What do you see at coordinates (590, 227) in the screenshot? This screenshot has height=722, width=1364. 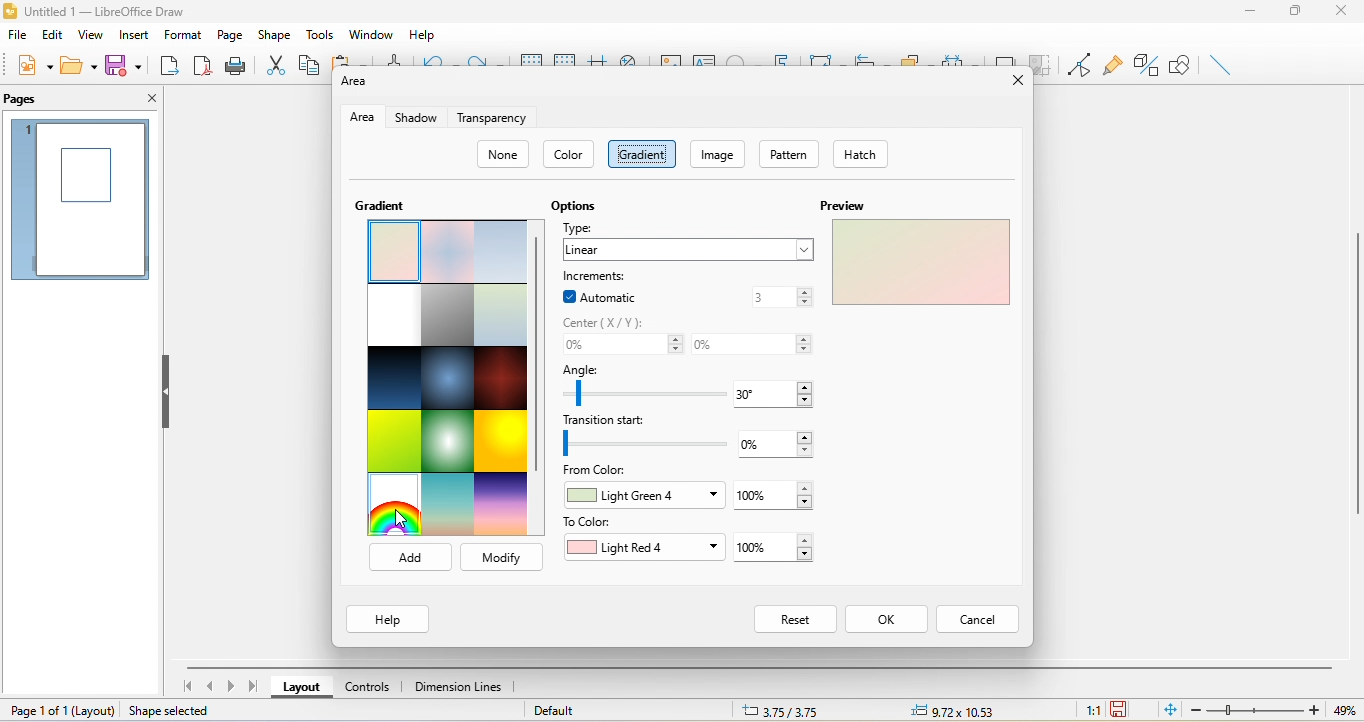 I see `type` at bounding box center [590, 227].